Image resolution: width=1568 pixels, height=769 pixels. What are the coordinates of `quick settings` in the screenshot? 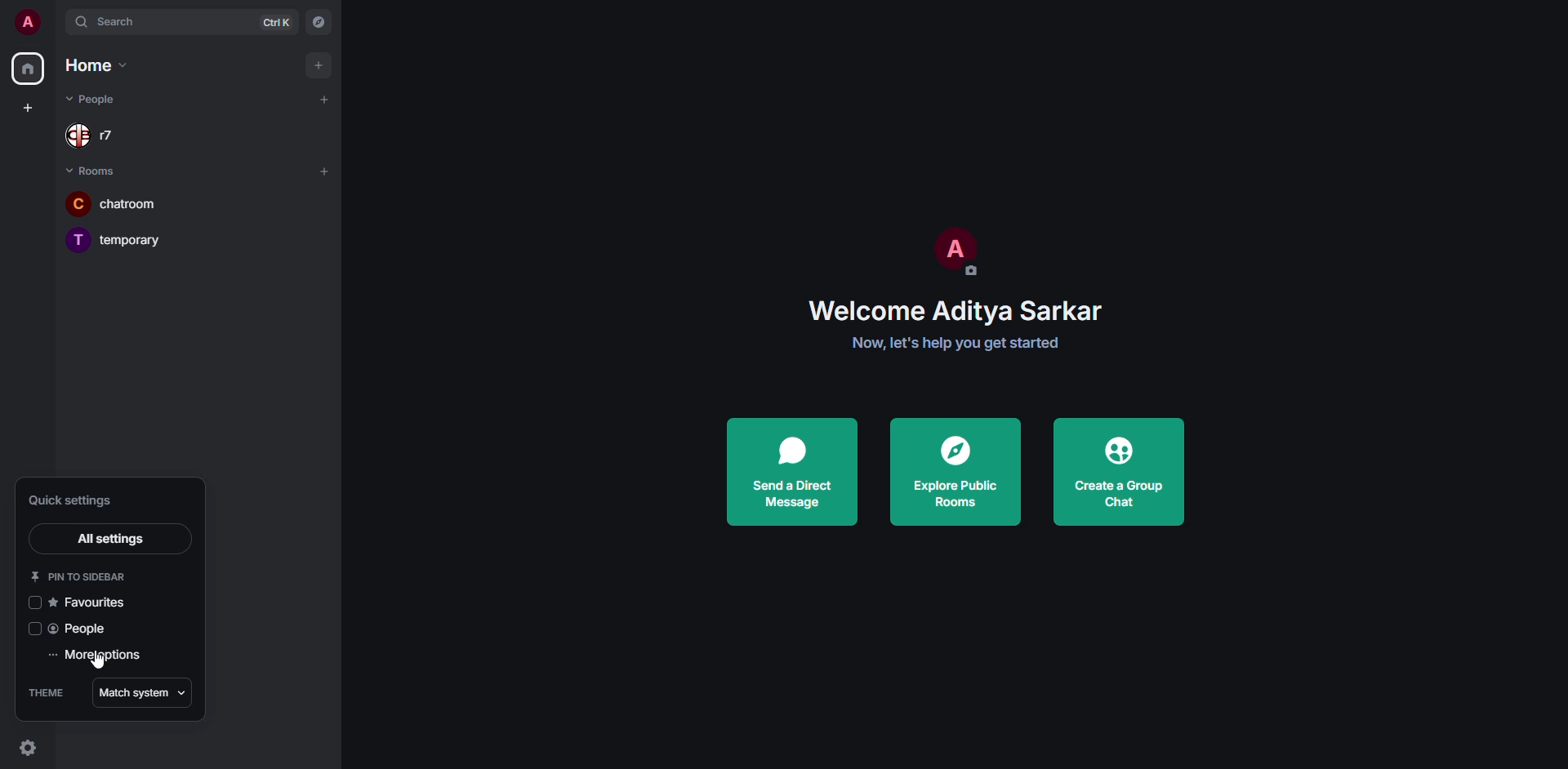 It's located at (26, 748).